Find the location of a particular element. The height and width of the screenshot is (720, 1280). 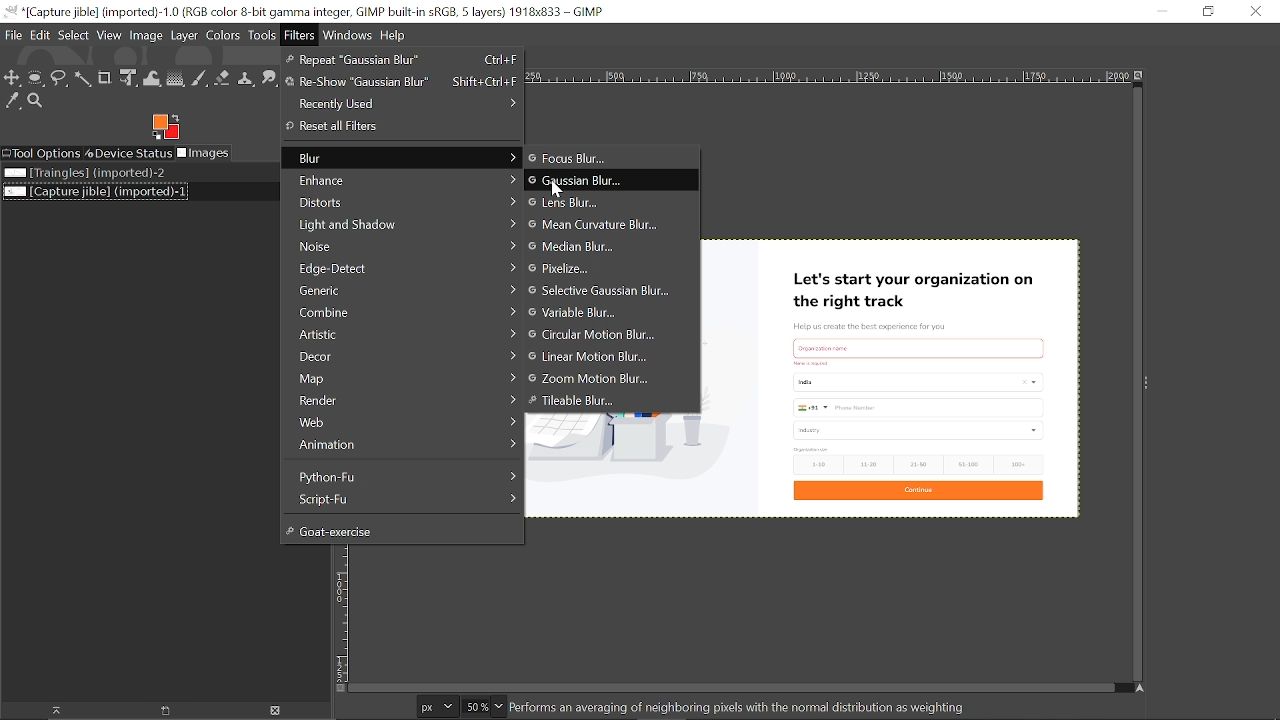

Paintbrush tool is located at coordinates (199, 78).